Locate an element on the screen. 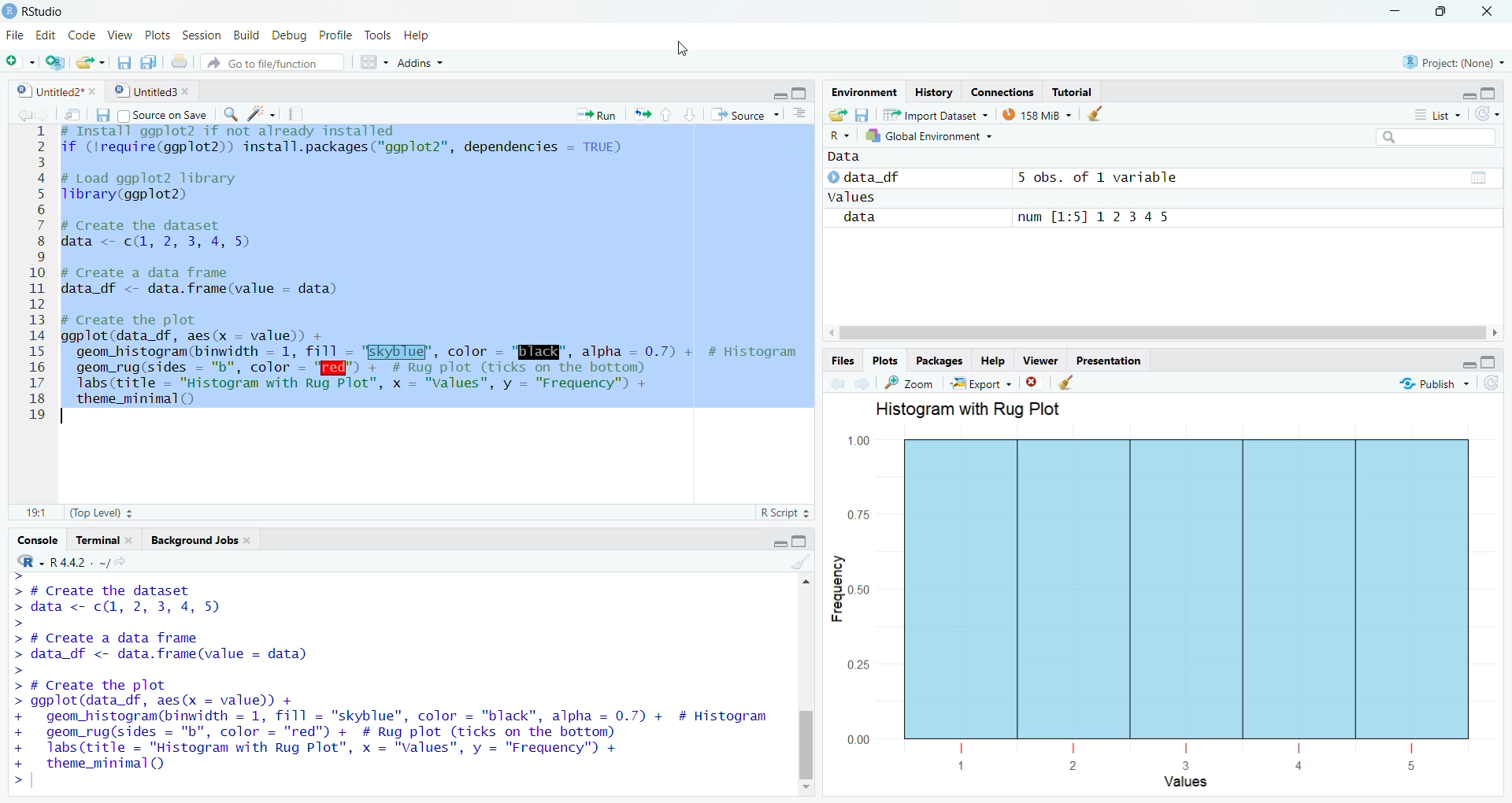 The height and width of the screenshot is (803, 1512). Run is located at coordinates (589, 115).